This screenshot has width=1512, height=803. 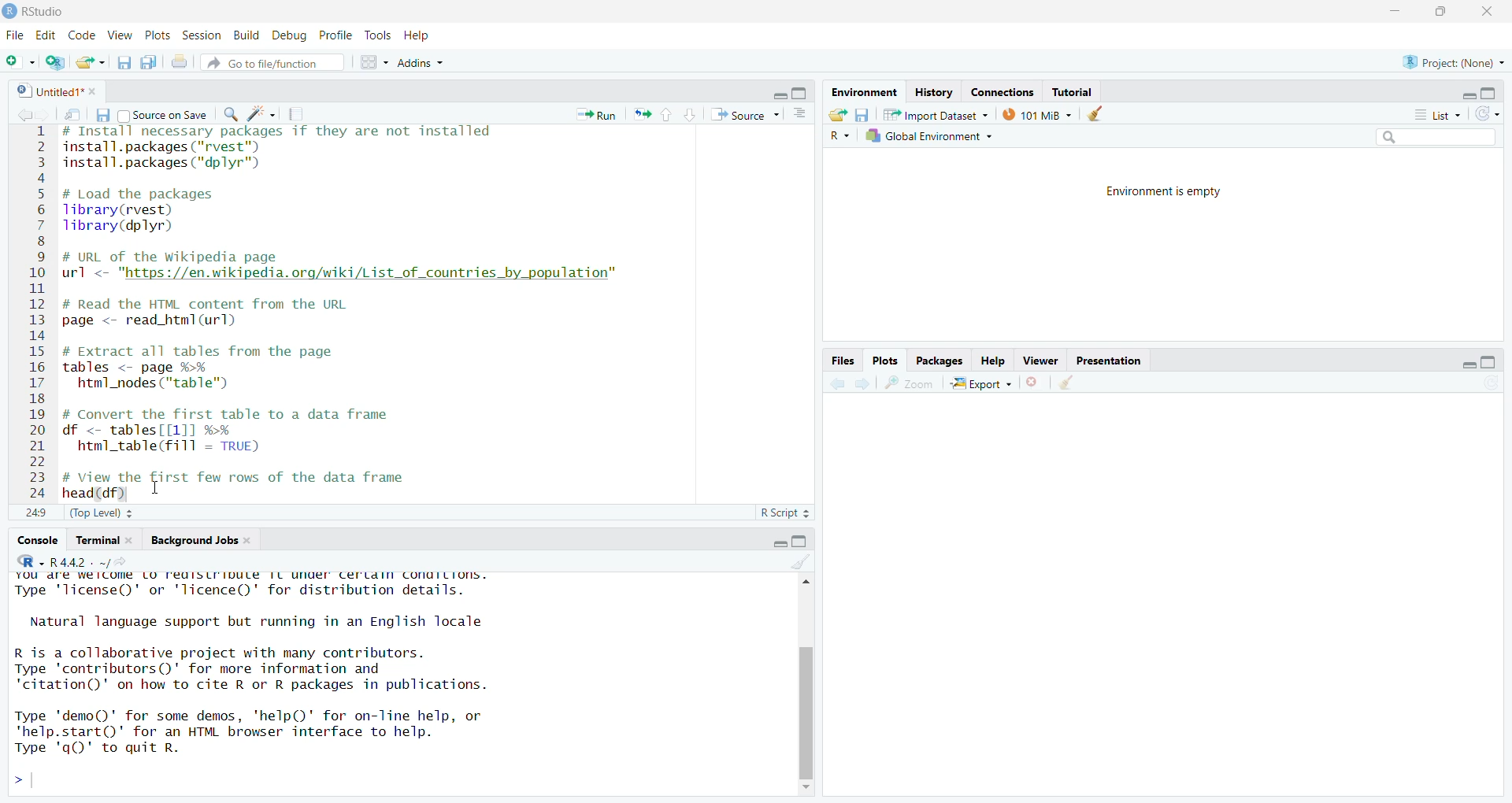 What do you see at coordinates (1436, 115) in the screenshot?
I see `list menu` at bounding box center [1436, 115].